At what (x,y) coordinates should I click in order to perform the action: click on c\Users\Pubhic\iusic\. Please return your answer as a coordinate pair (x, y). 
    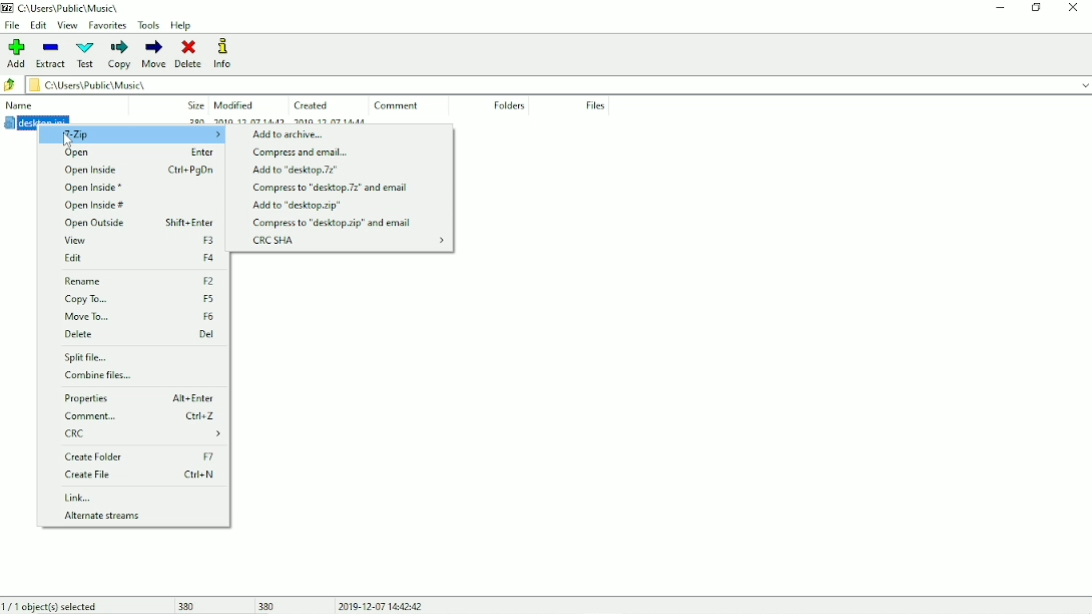
    Looking at the image, I should click on (561, 86).